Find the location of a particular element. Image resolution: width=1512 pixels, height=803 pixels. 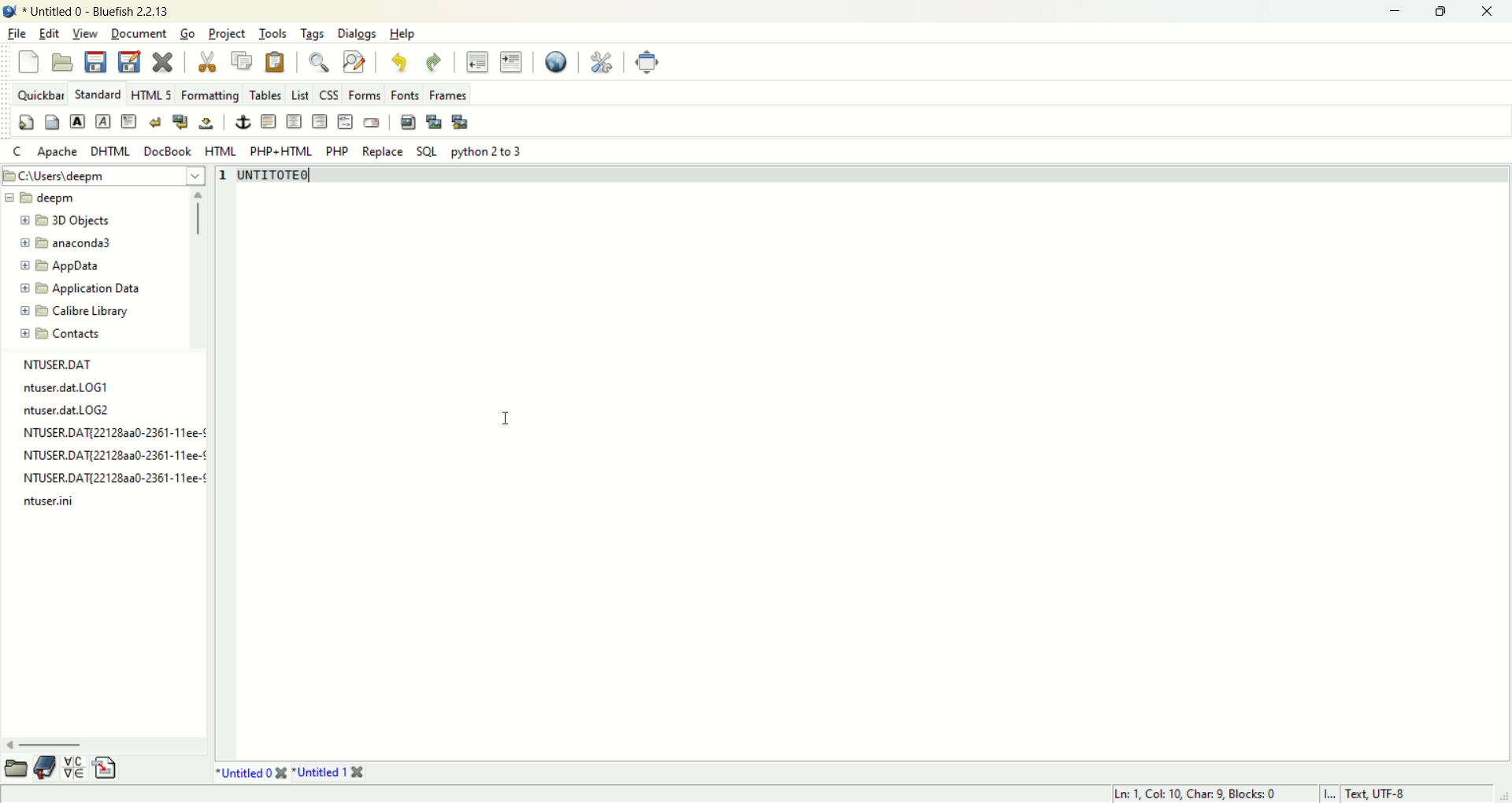

document is located at coordinates (139, 32).